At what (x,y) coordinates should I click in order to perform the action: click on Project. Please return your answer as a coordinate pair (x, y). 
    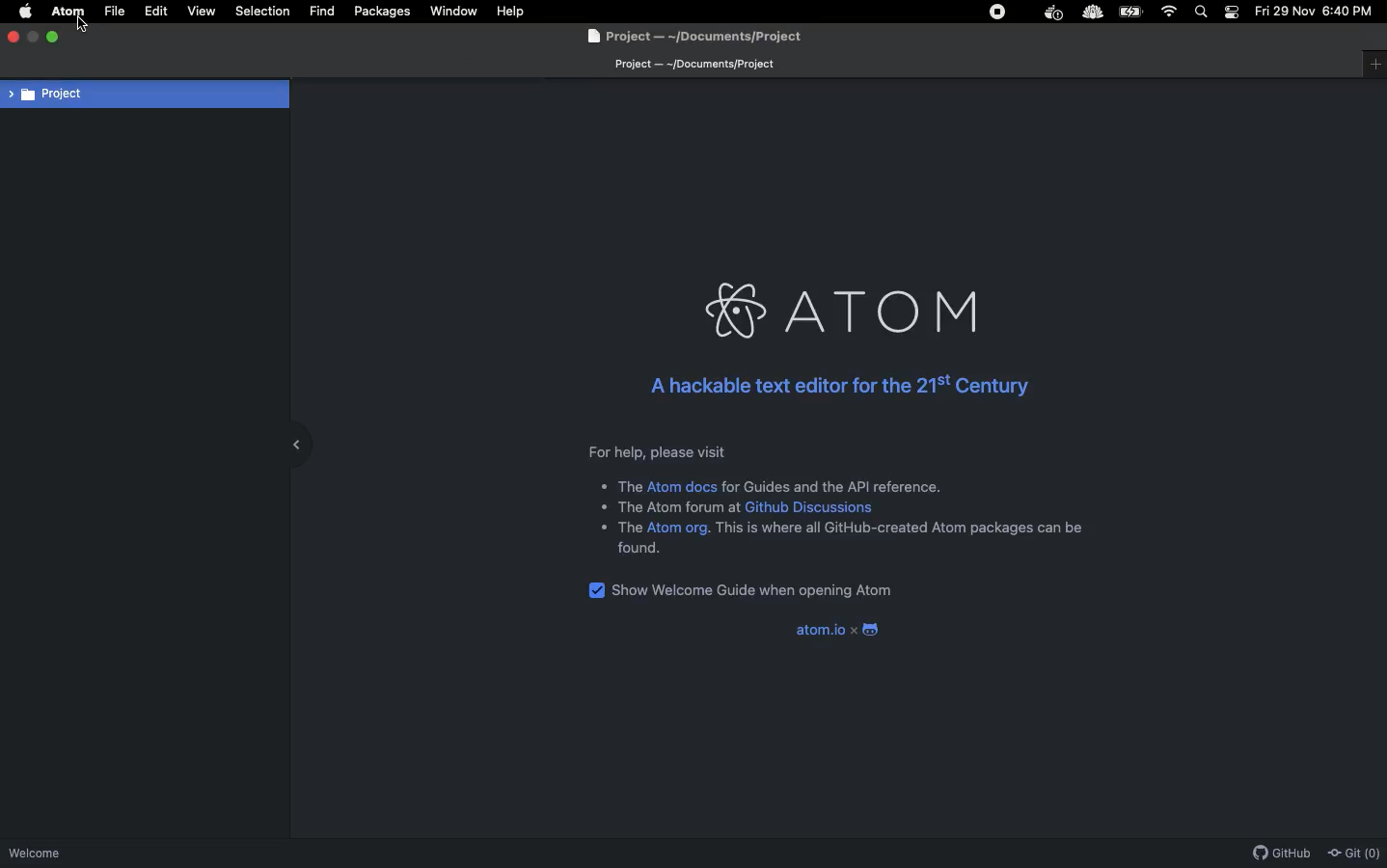
    Looking at the image, I should click on (690, 38).